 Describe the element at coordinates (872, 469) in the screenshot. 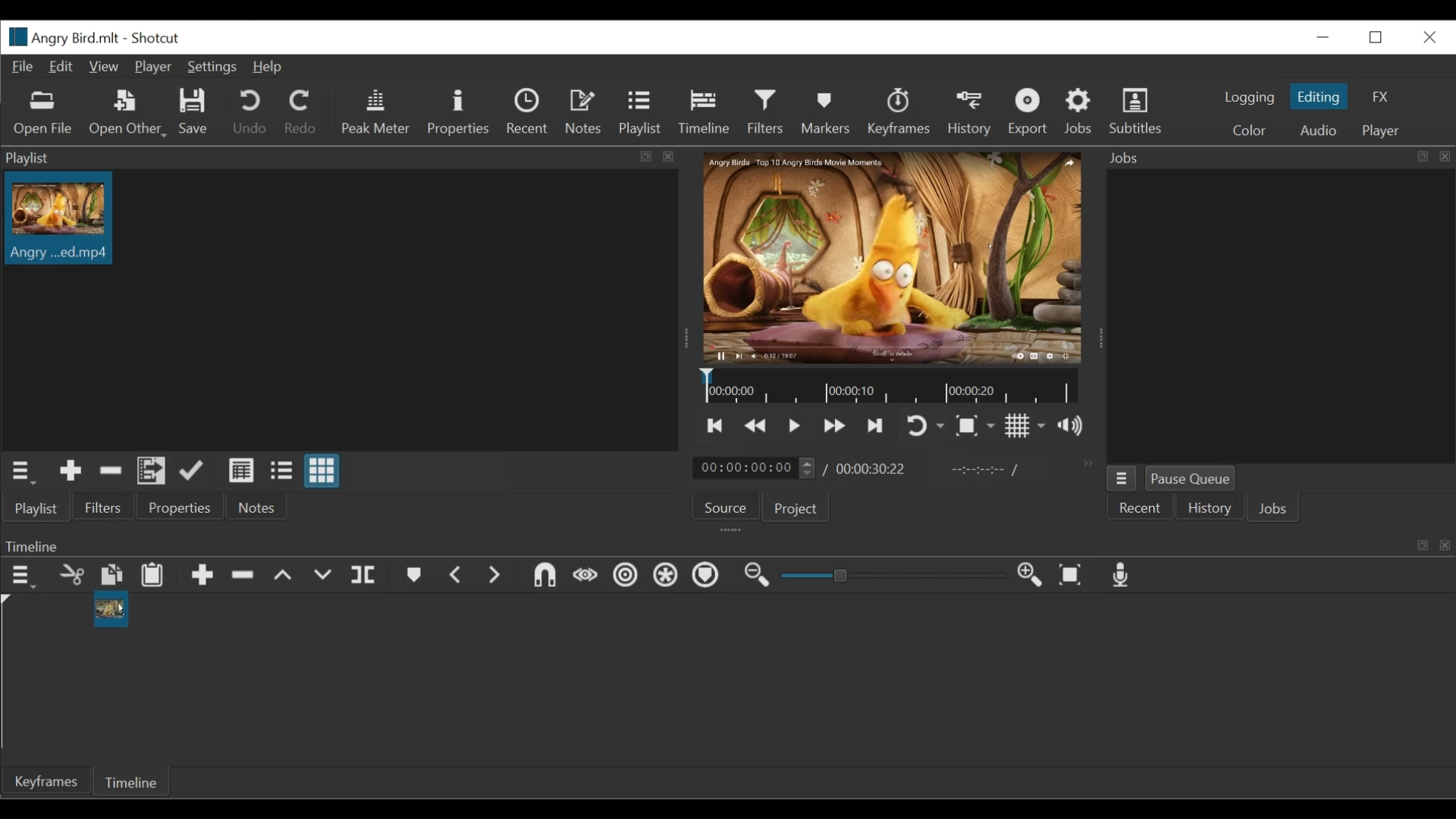

I see `Total duration` at that location.